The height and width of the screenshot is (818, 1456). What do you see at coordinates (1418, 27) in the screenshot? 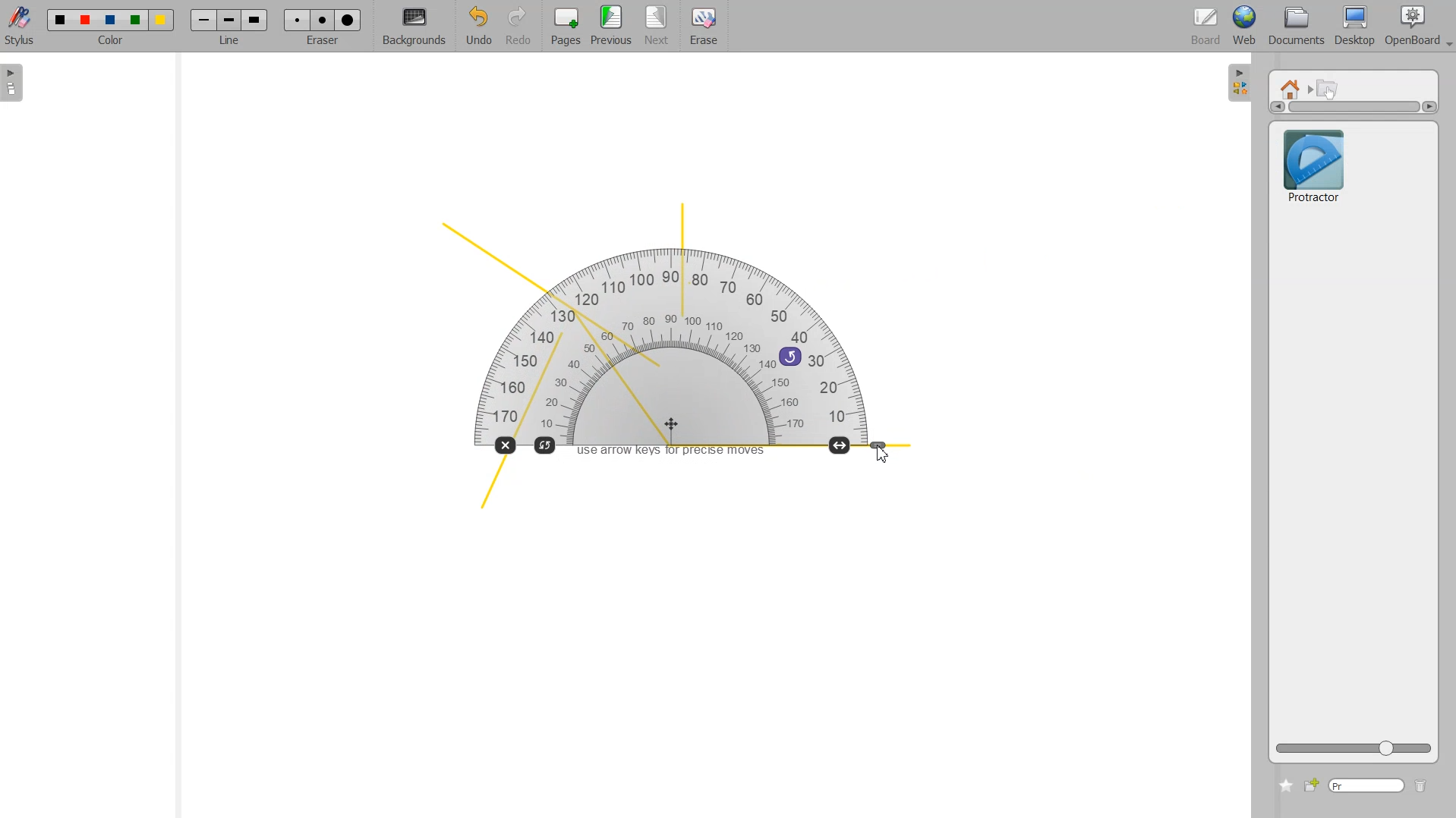
I see `Open Board` at bounding box center [1418, 27].